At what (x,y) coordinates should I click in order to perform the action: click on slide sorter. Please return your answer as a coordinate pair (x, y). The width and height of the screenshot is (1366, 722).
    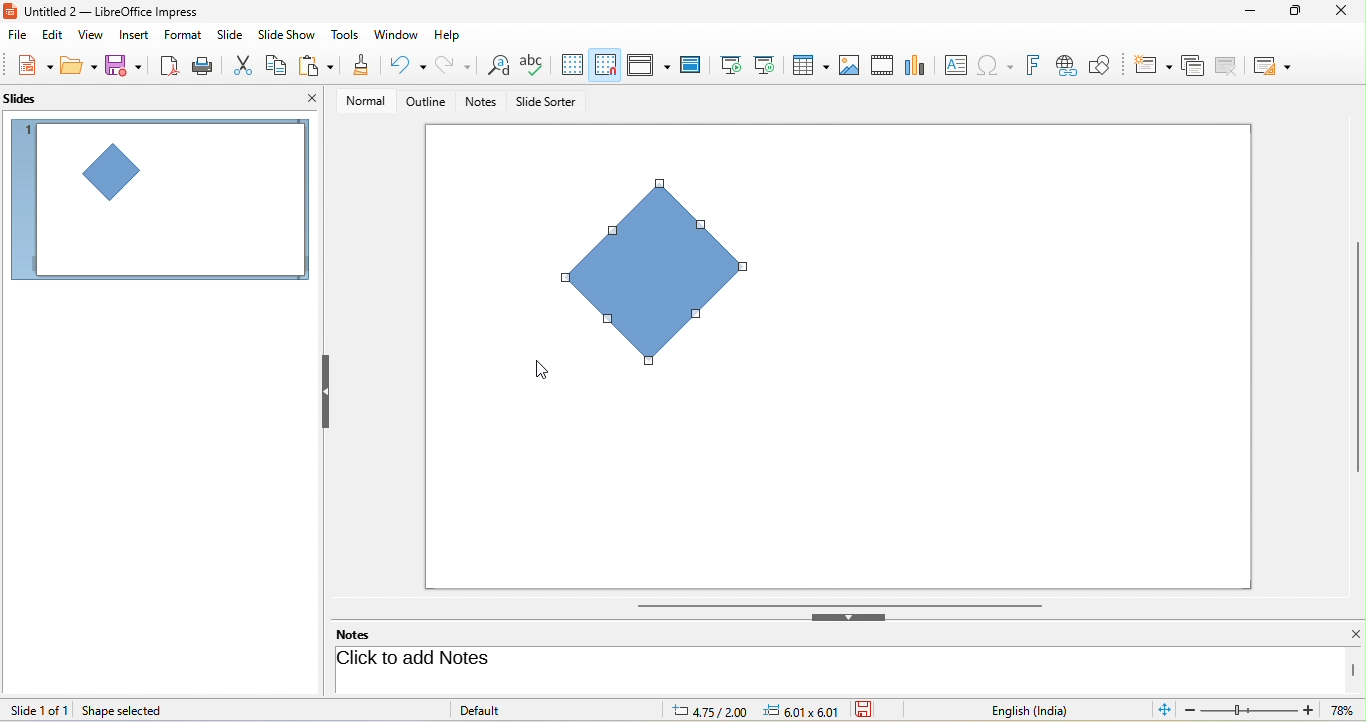
    Looking at the image, I should click on (546, 103).